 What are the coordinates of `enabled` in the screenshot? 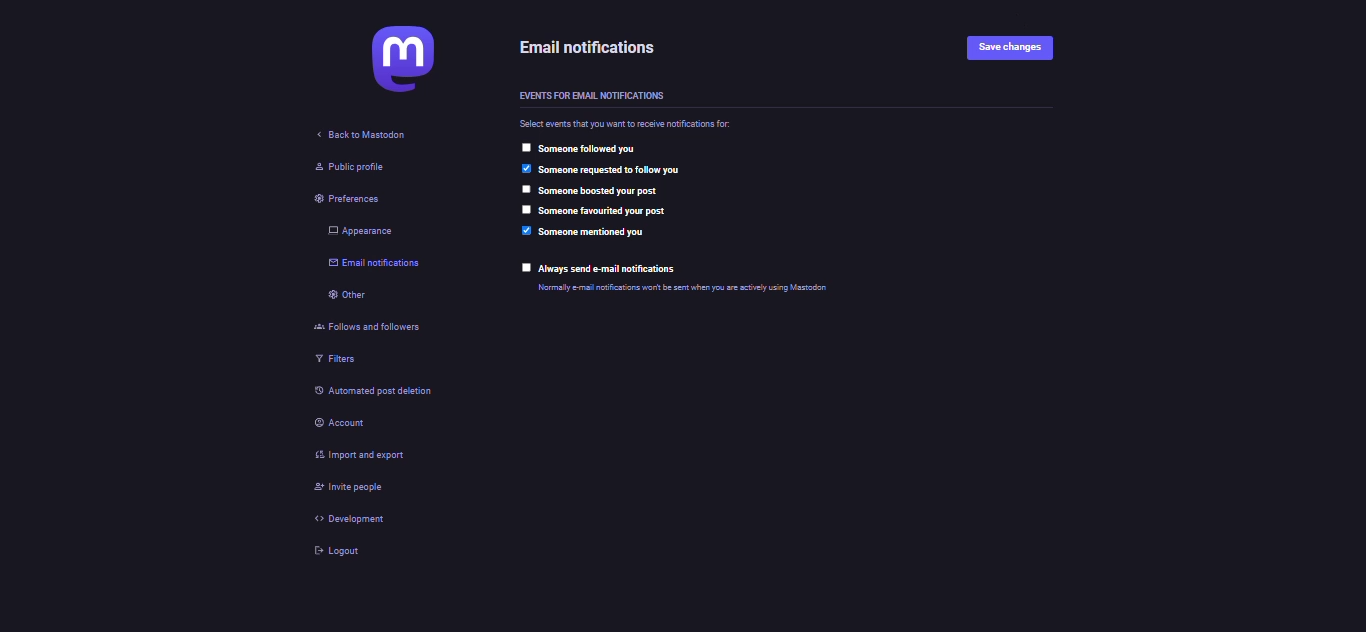 It's located at (525, 169).